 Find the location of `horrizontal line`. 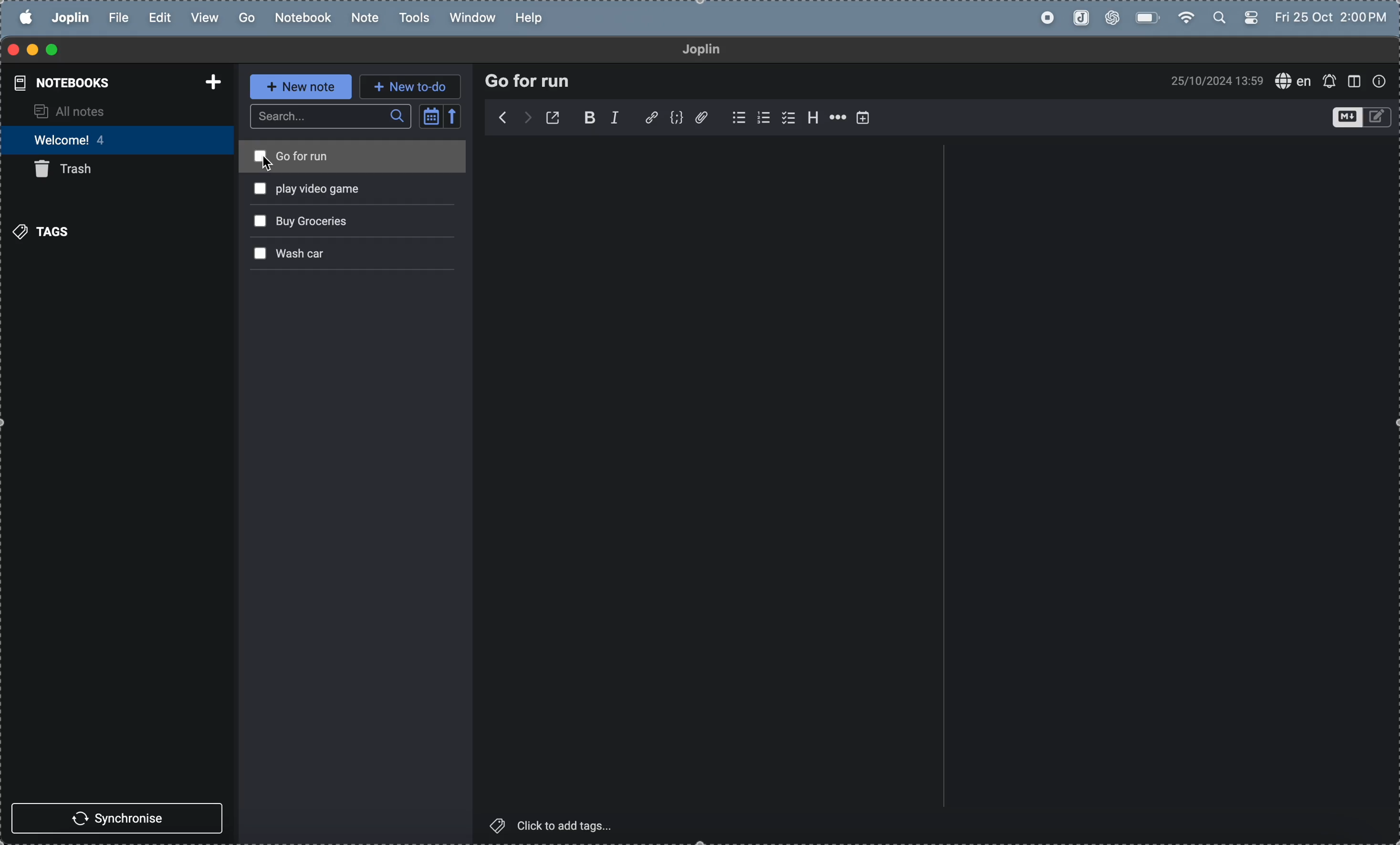

horrizontal line is located at coordinates (837, 115).